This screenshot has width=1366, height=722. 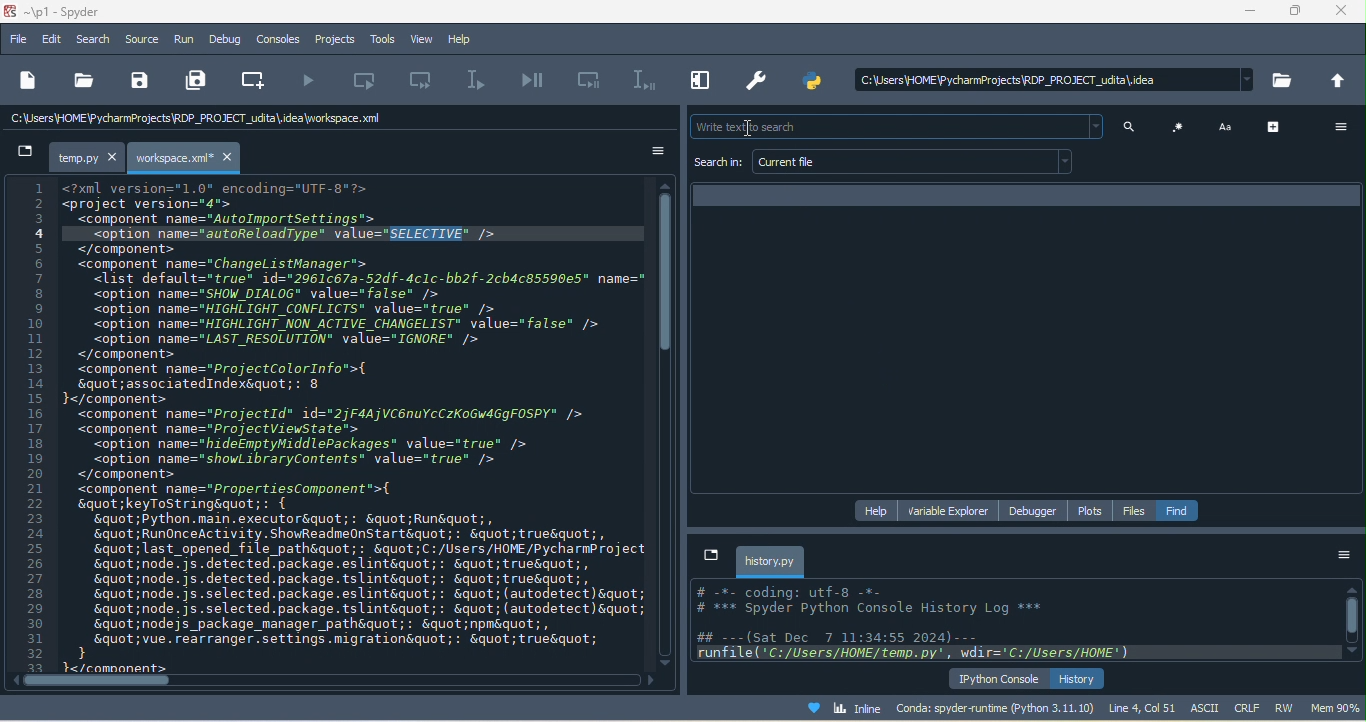 I want to click on option, so click(x=1343, y=557).